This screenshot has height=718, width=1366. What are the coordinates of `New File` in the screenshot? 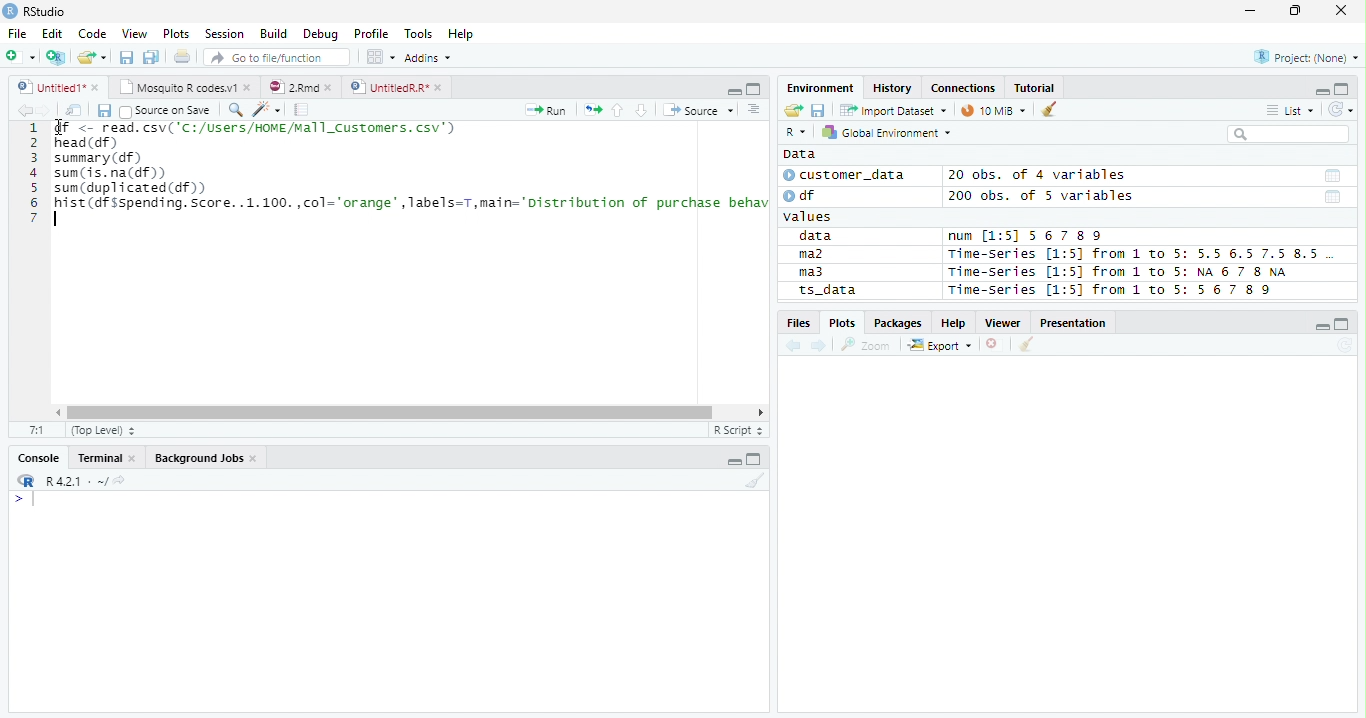 It's located at (21, 56).